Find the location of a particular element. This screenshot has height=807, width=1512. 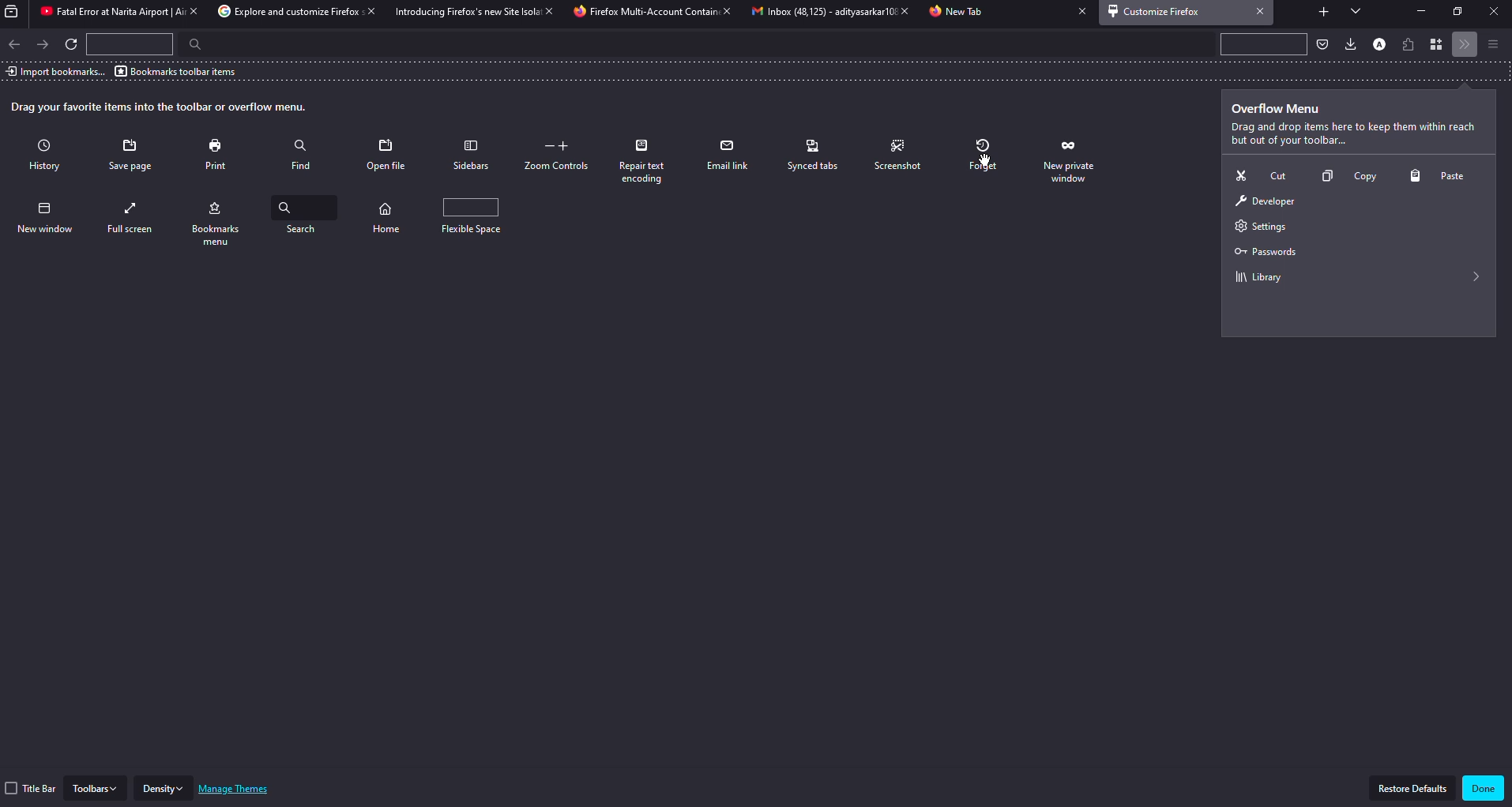

close is located at coordinates (546, 10).